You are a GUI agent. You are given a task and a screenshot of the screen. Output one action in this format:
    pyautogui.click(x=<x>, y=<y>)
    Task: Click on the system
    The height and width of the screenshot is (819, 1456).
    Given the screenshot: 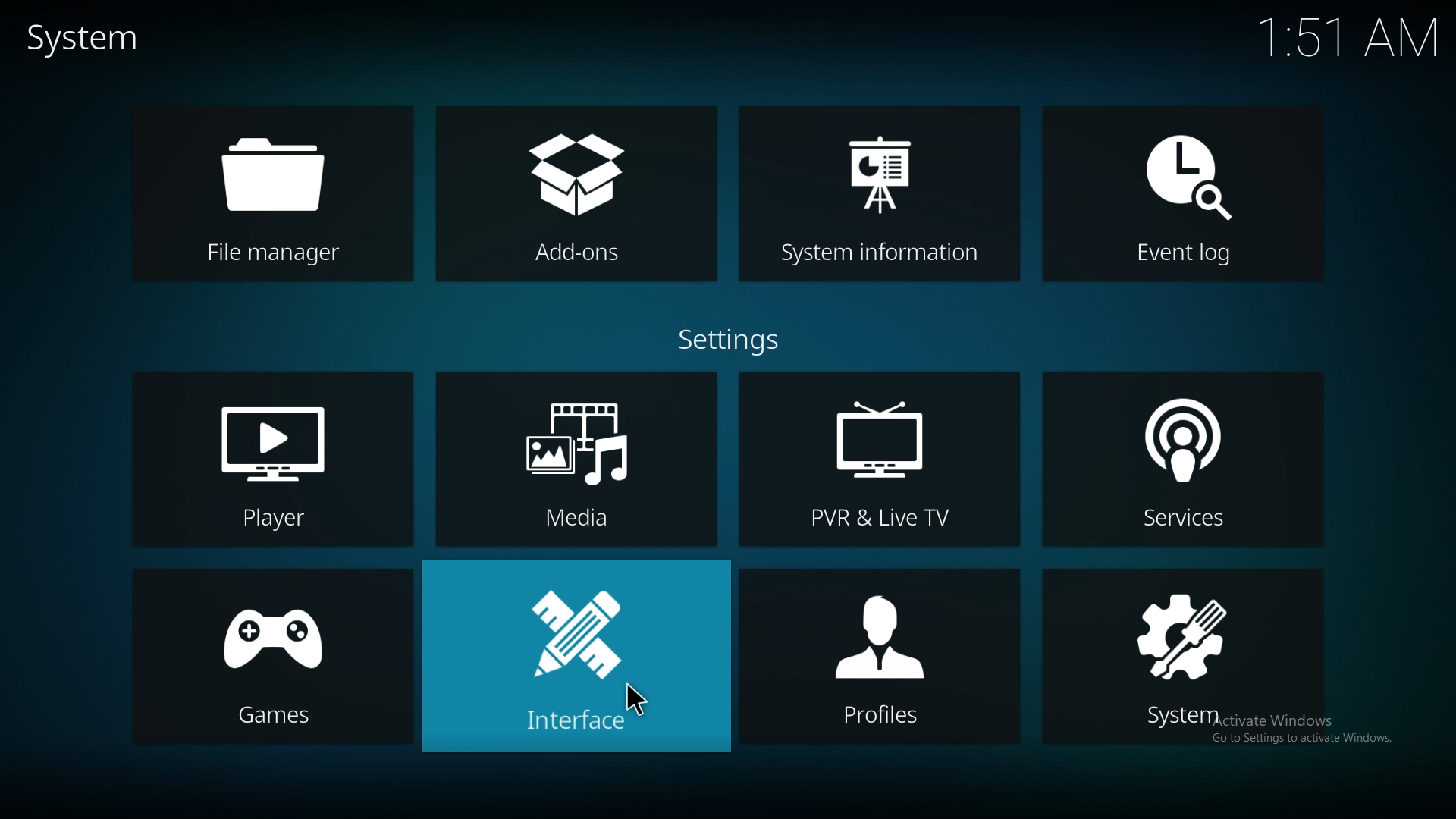 What is the action you would take?
    pyautogui.click(x=89, y=40)
    